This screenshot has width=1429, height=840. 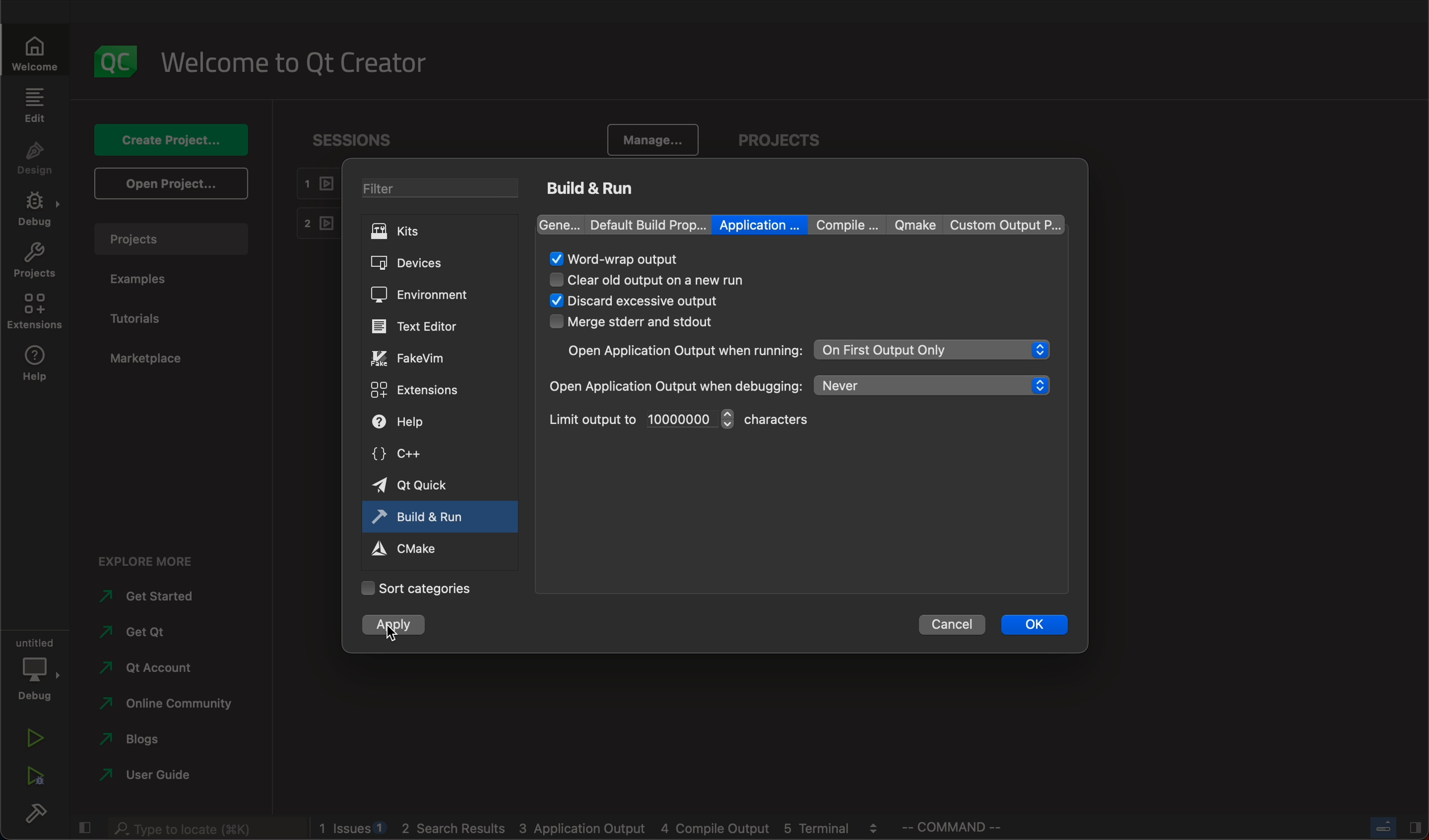 I want to click on merge stderr, so click(x=644, y=323).